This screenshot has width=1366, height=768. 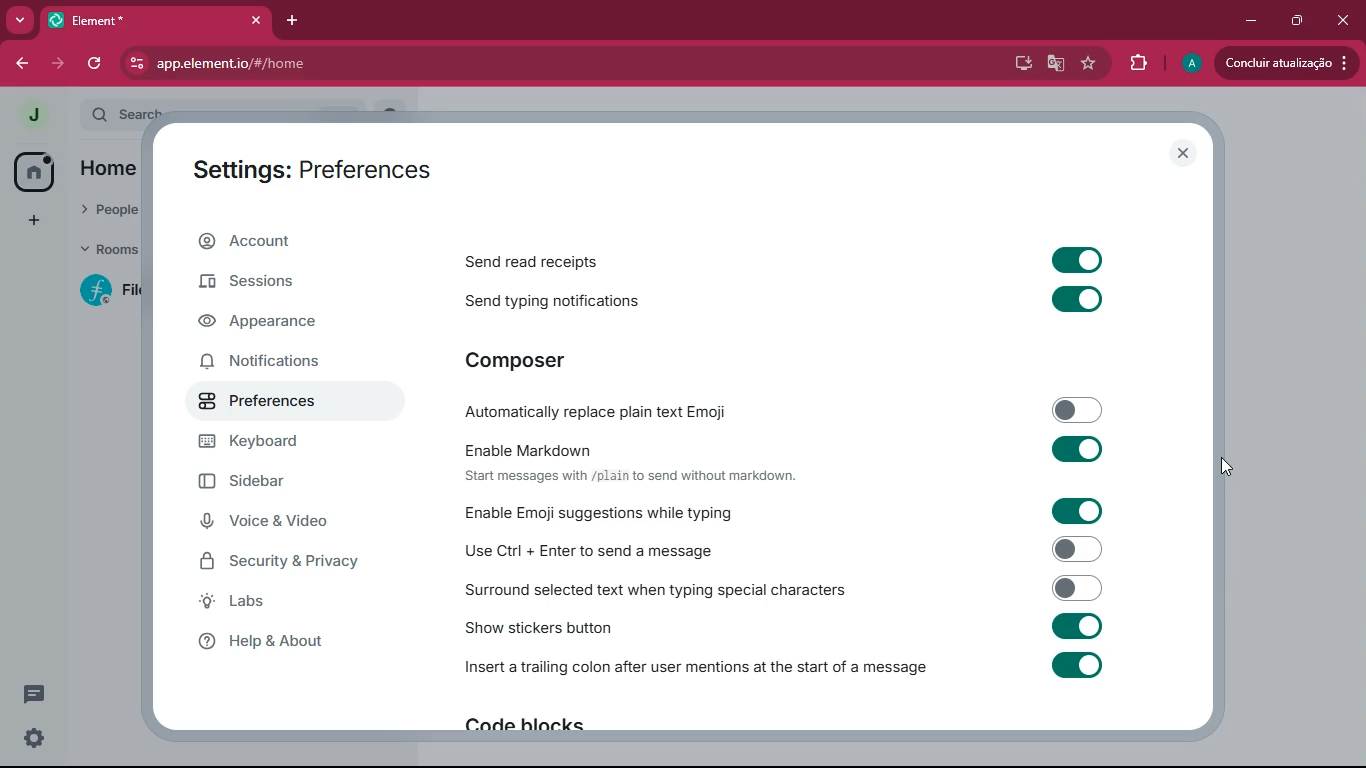 What do you see at coordinates (157, 20) in the screenshot?
I see `element` at bounding box center [157, 20].